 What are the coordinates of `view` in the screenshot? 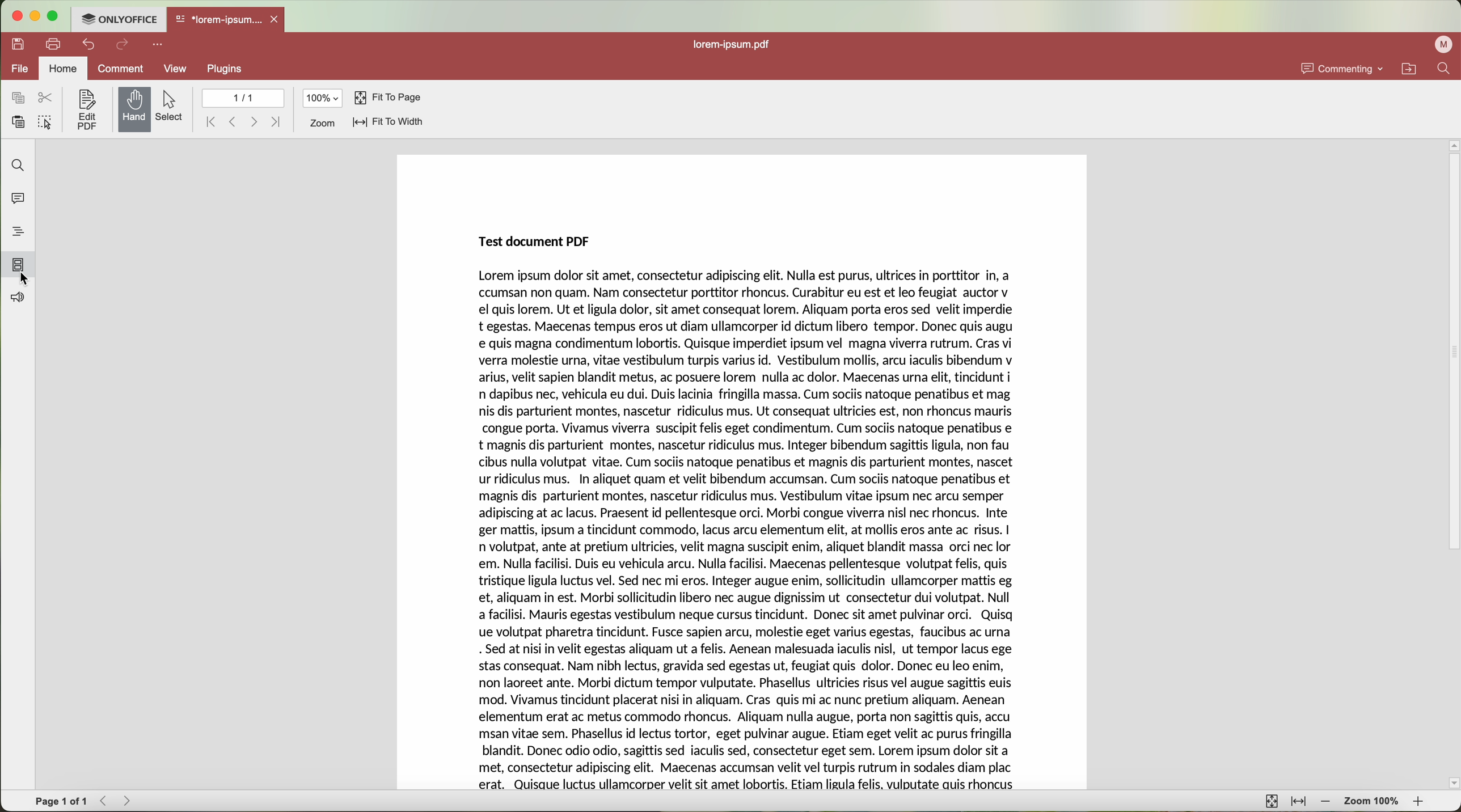 It's located at (176, 68).